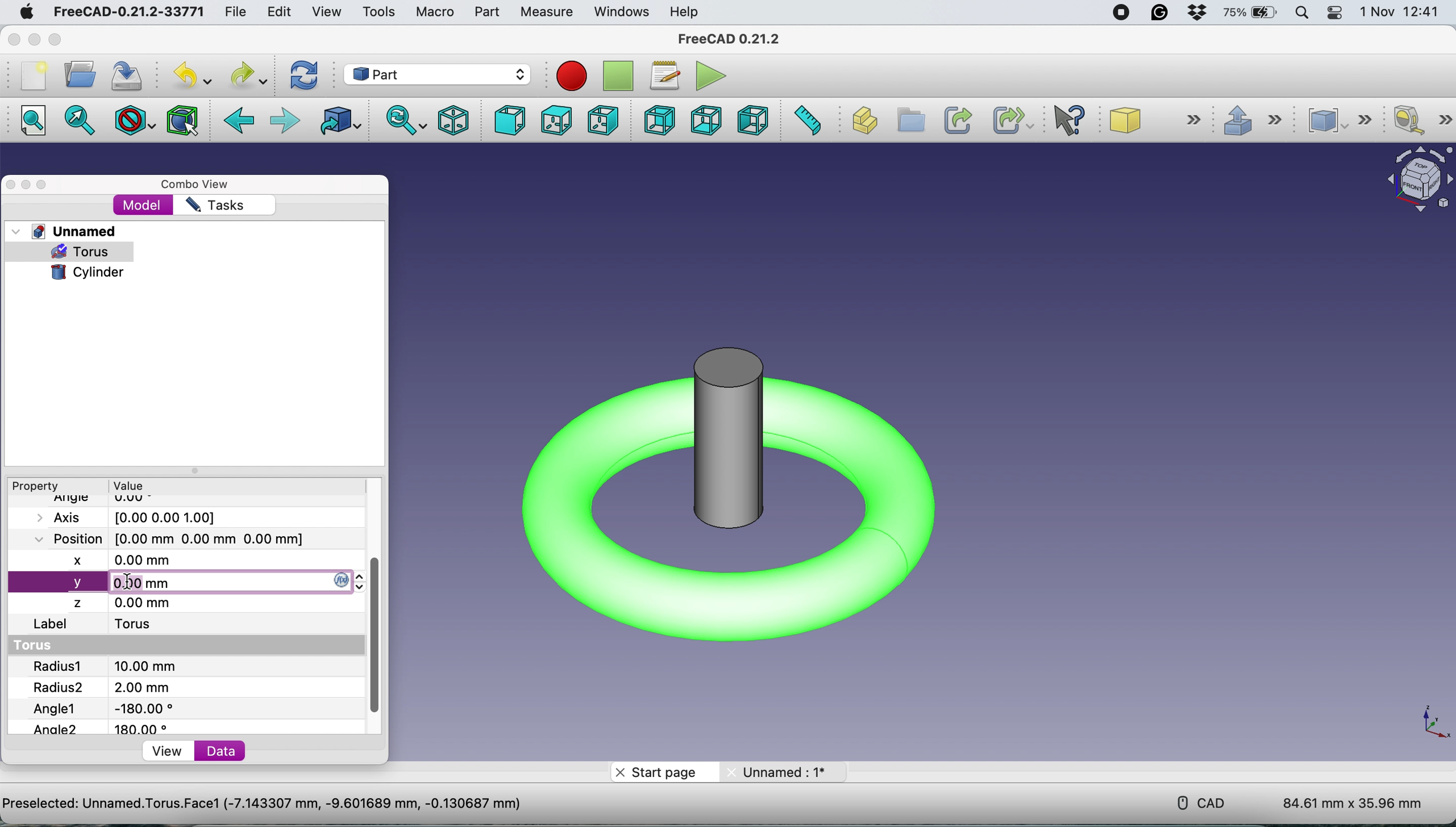  Describe the element at coordinates (31, 40) in the screenshot. I see `minimise` at that location.